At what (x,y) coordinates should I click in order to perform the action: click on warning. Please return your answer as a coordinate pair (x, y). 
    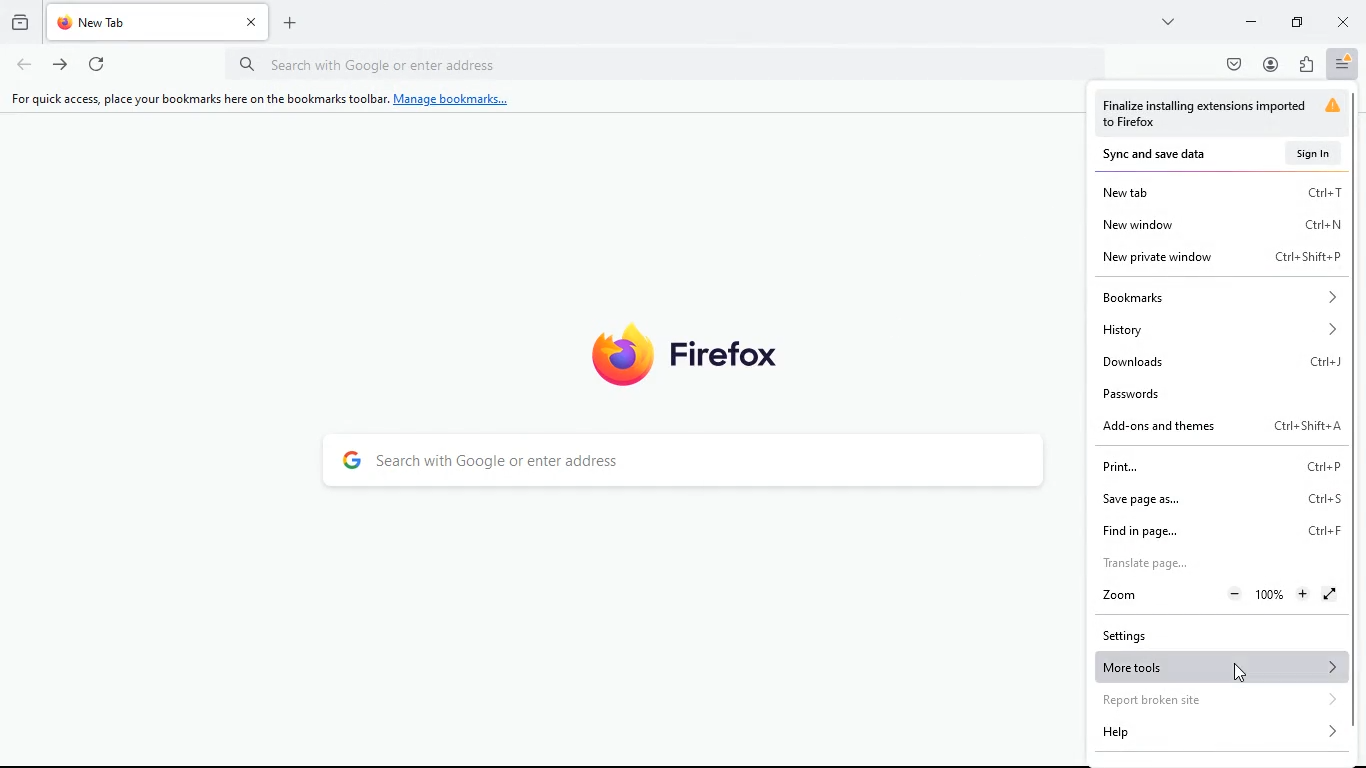
    Looking at the image, I should click on (1223, 114).